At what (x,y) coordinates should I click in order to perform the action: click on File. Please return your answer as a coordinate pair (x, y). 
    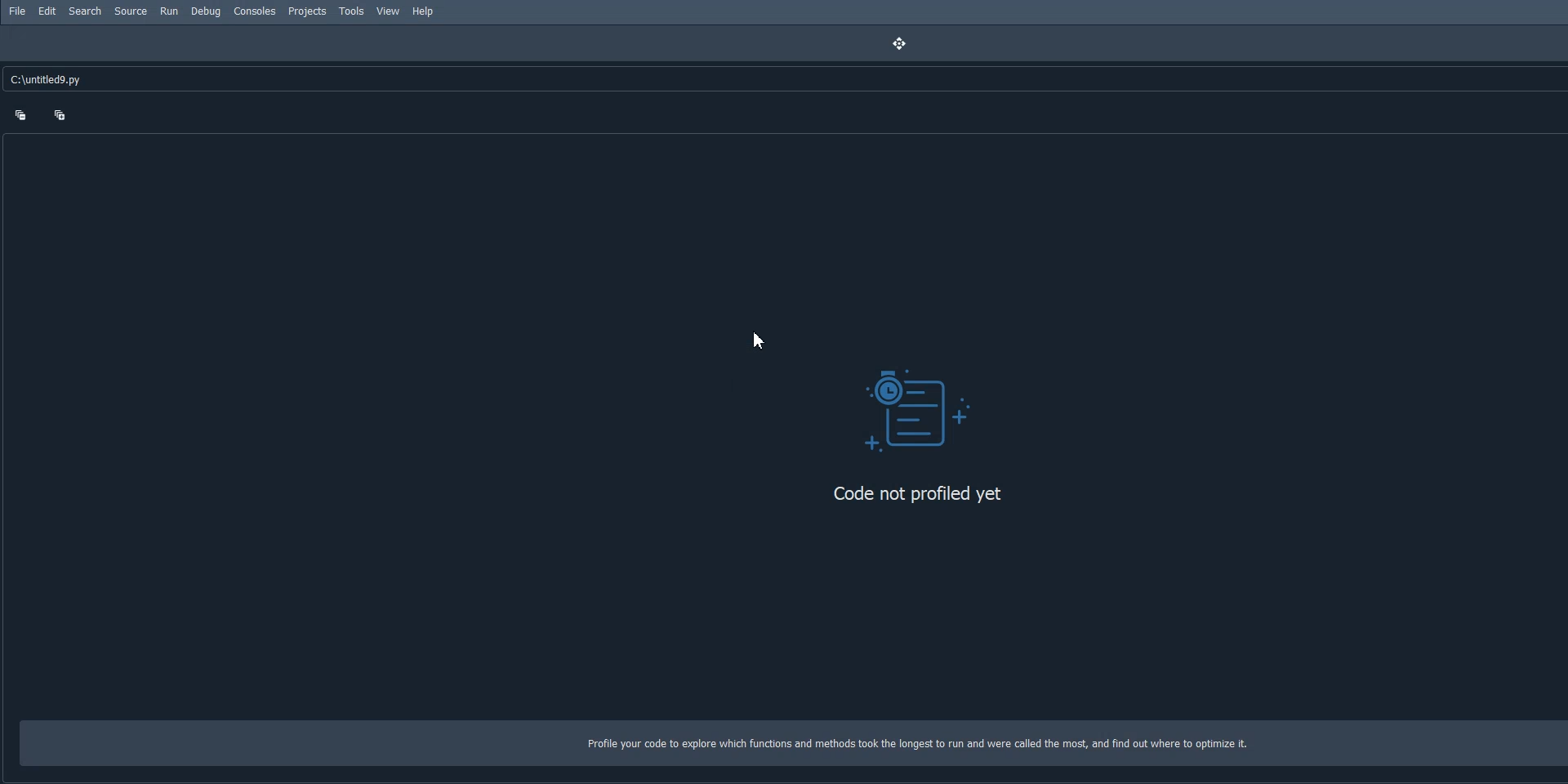
    Looking at the image, I should click on (17, 11).